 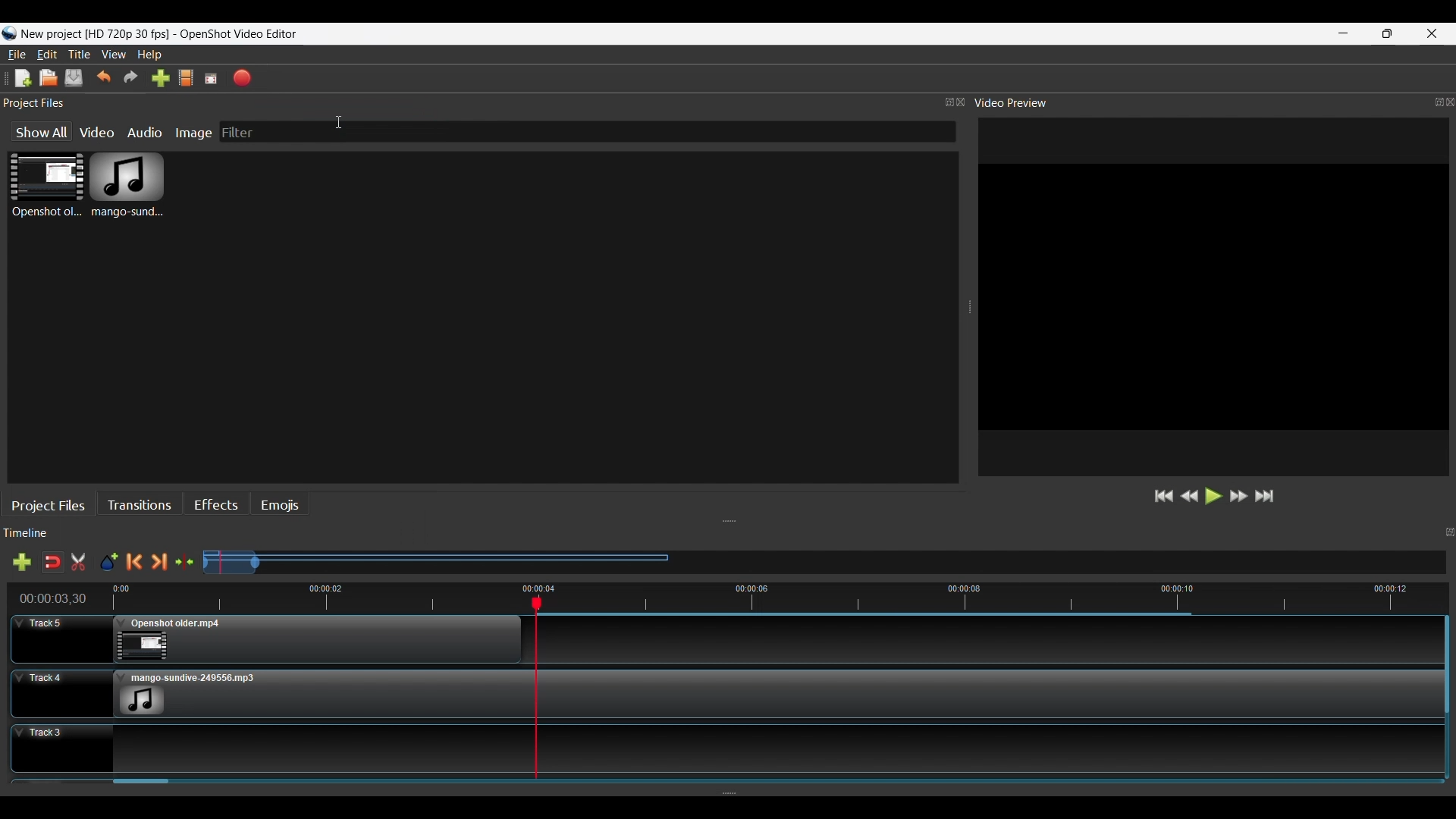 I want to click on Full Screen, so click(x=211, y=78).